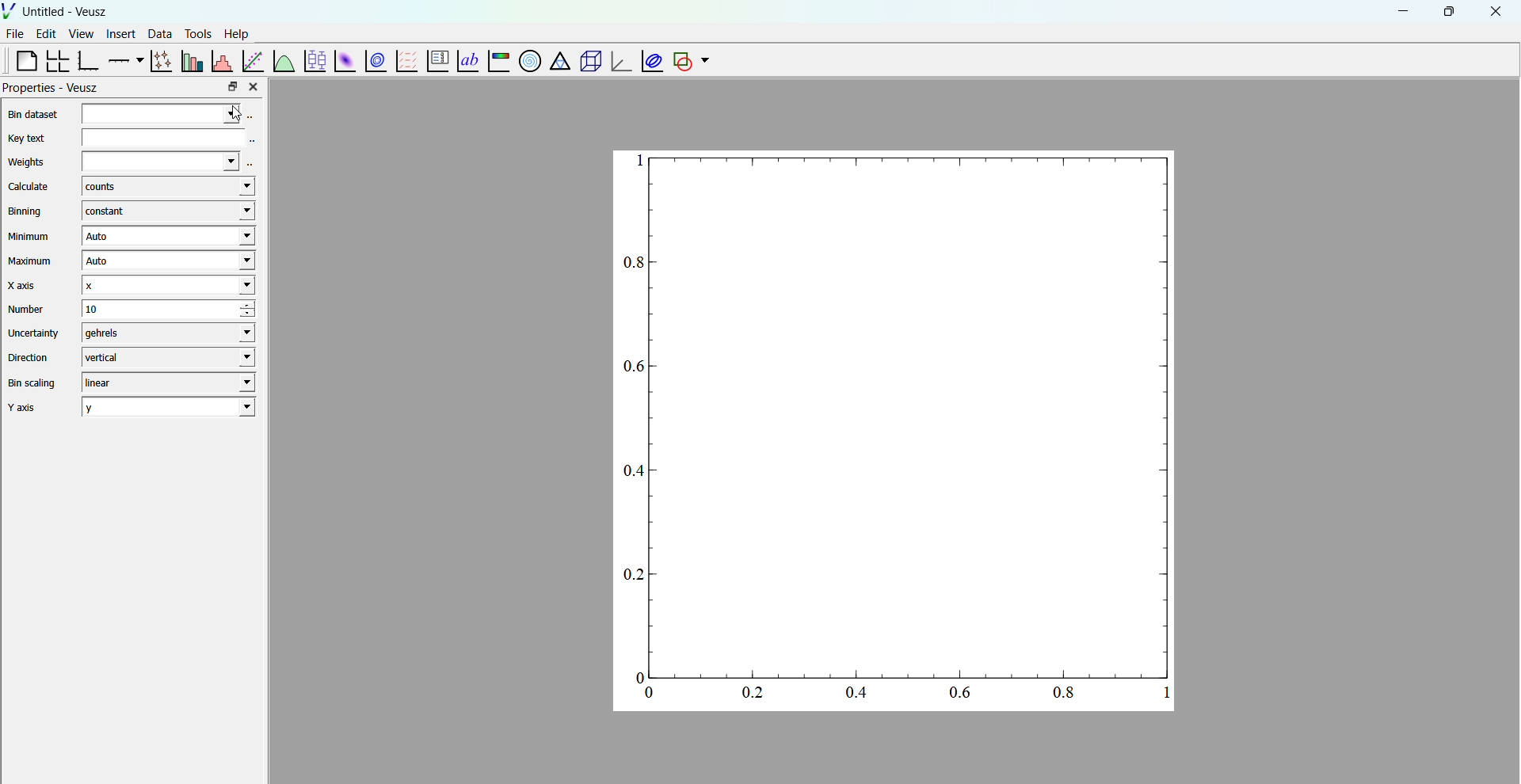 This screenshot has width=1521, height=784. I want to click on plot points with lines and errorbars, so click(159, 61).